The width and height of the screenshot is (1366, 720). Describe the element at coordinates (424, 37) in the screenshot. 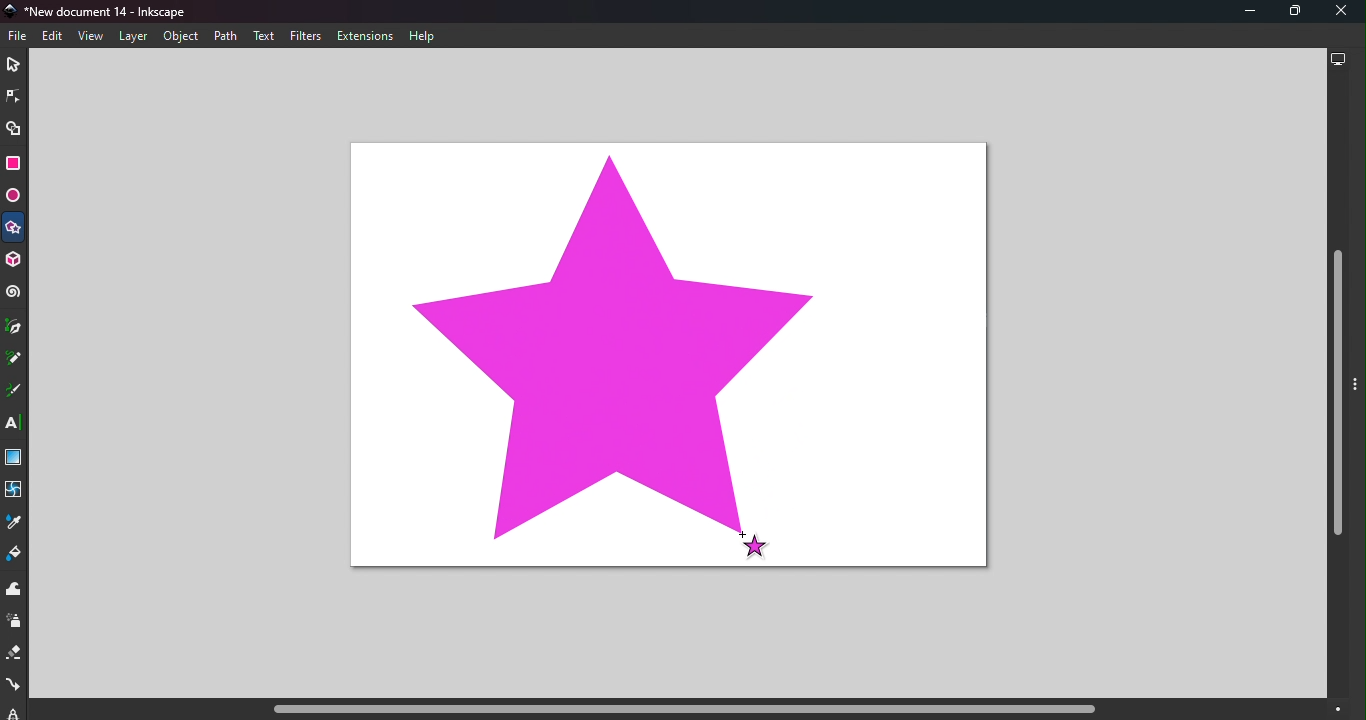

I see `Help` at that location.